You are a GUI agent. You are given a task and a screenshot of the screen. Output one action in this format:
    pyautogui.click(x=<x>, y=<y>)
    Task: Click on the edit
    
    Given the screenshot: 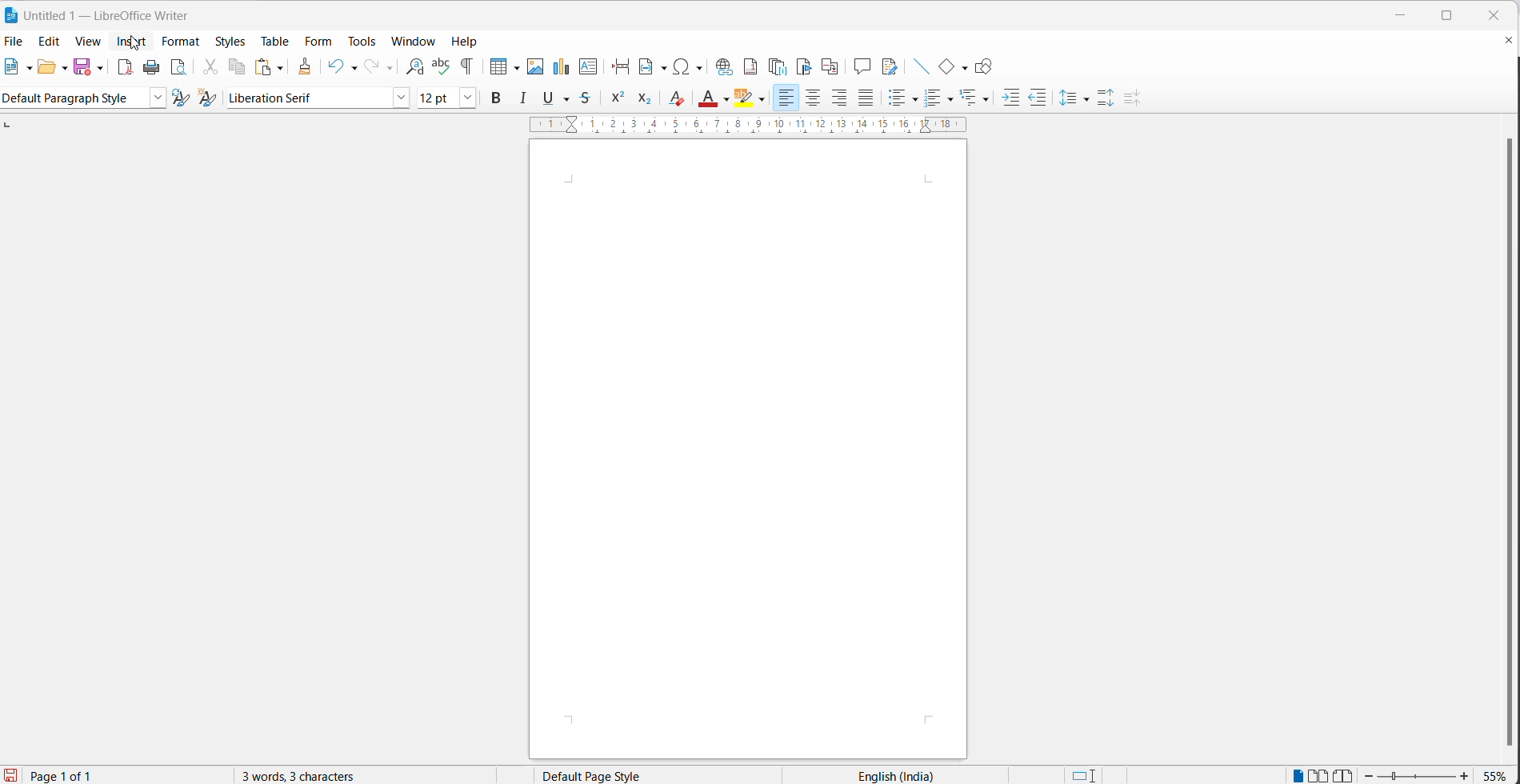 What is the action you would take?
    pyautogui.click(x=53, y=42)
    